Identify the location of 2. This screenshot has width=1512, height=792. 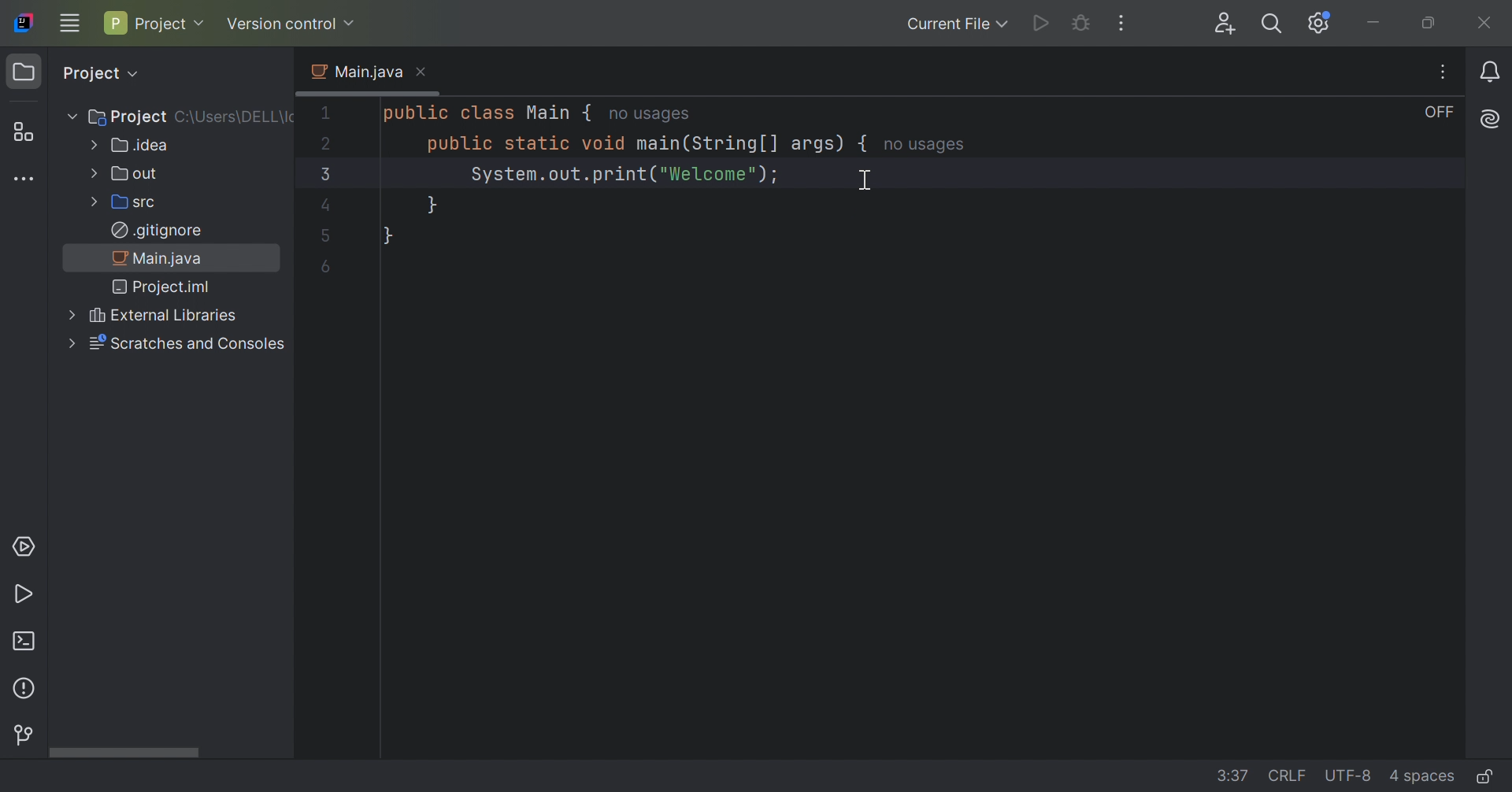
(328, 143).